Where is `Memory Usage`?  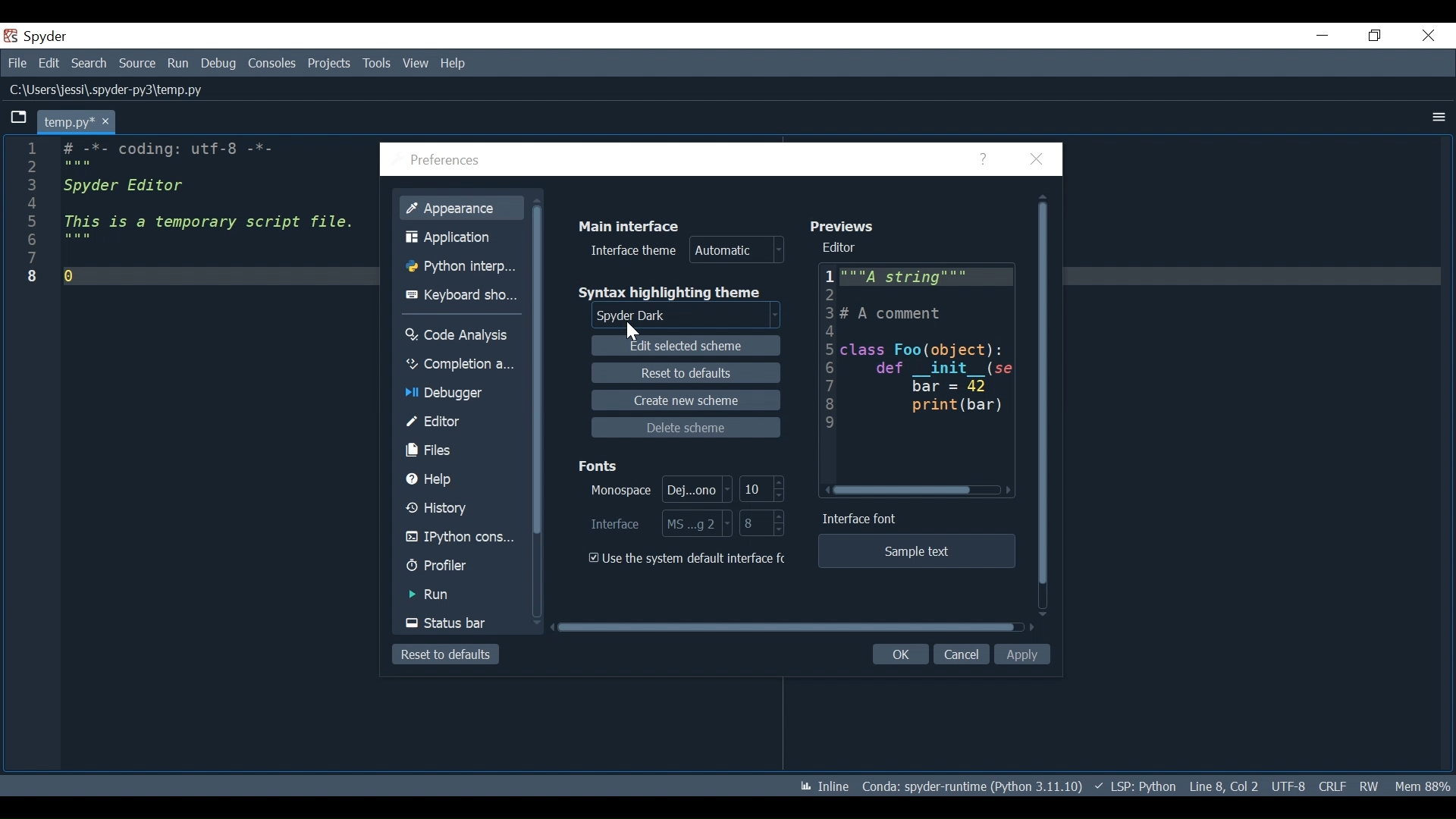 Memory Usage is located at coordinates (1422, 786).